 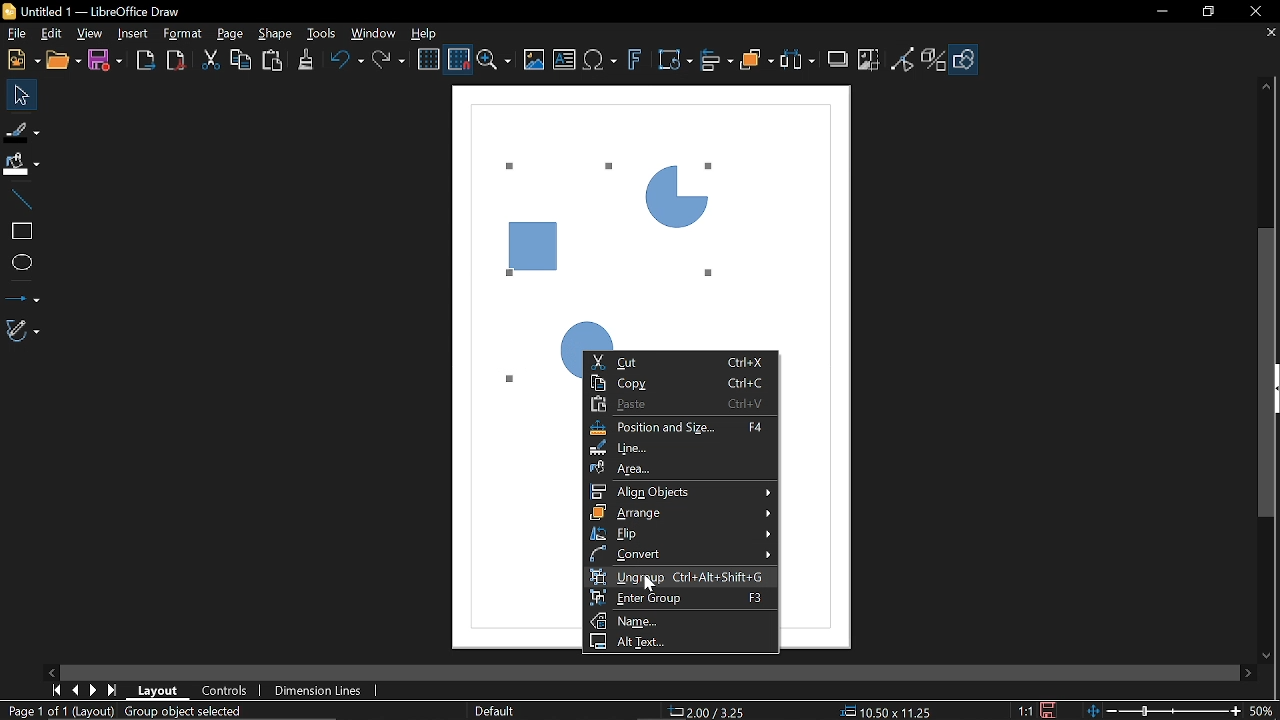 I want to click on Move down, so click(x=1266, y=658).